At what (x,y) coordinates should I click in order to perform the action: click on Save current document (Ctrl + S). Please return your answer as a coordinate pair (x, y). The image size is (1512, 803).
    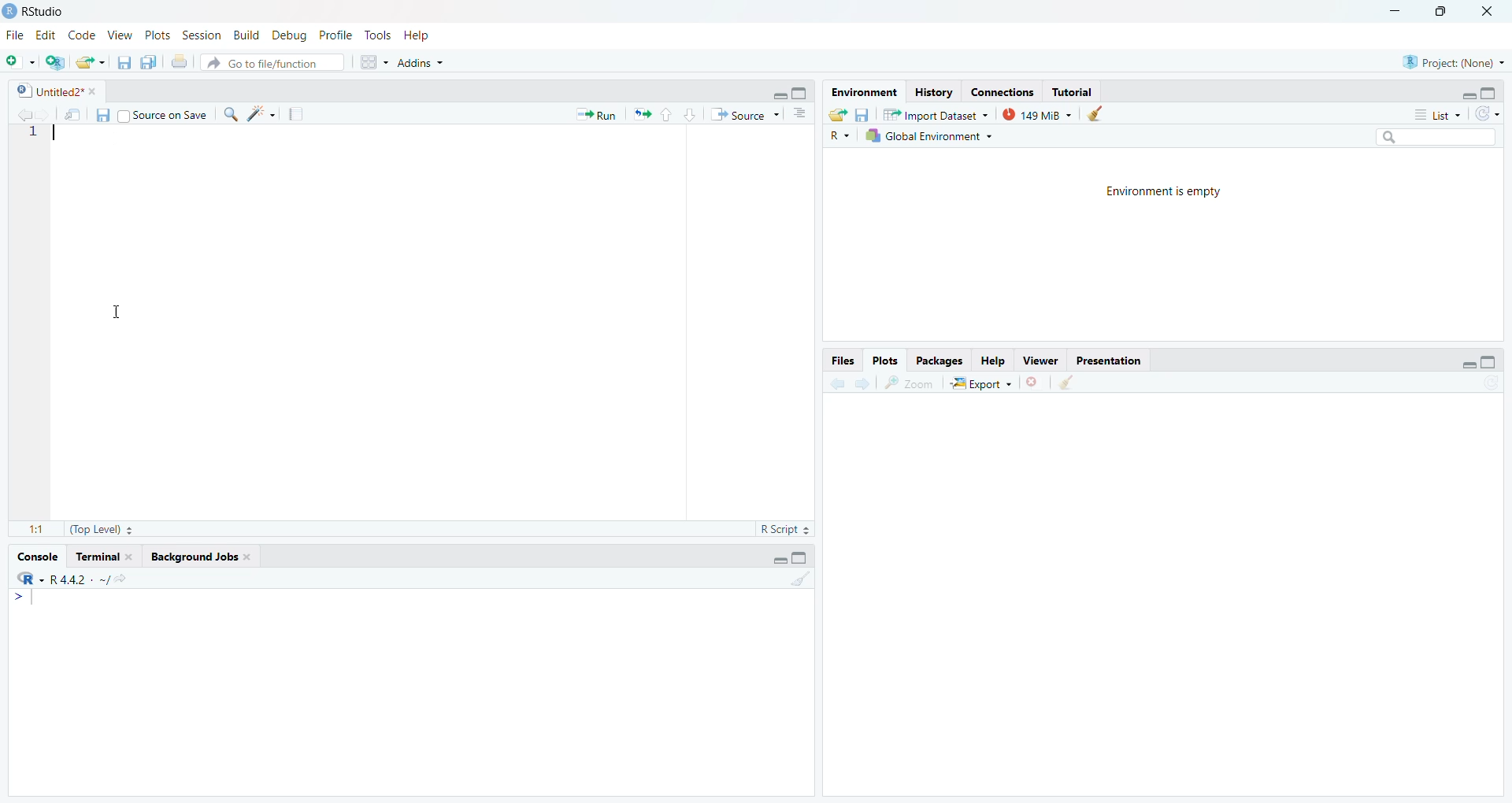
    Looking at the image, I should click on (106, 113).